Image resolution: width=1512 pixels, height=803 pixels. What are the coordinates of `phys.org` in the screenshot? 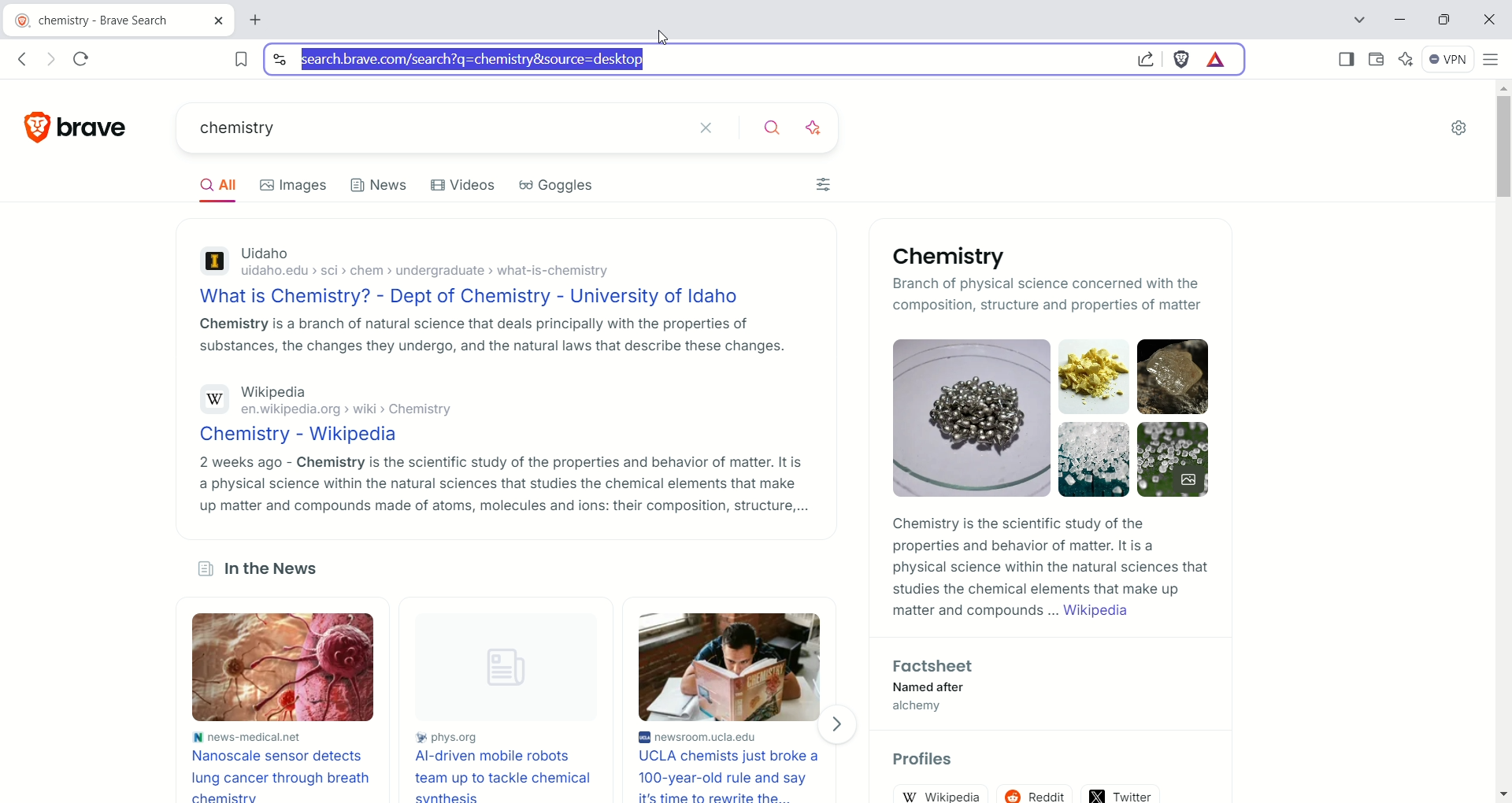 It's located at (513, 738).